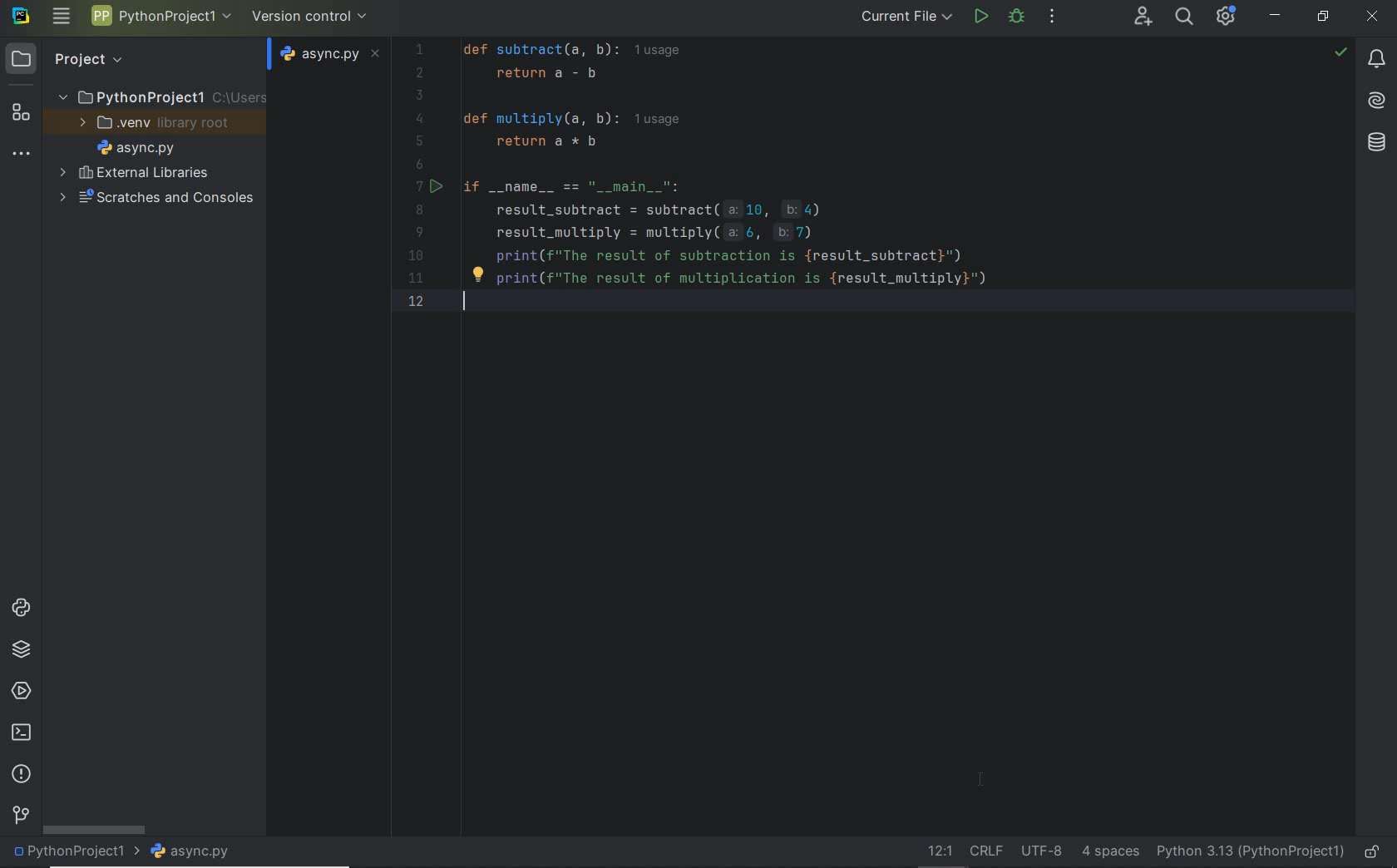  I want to click on terminal, so click(22, 733).